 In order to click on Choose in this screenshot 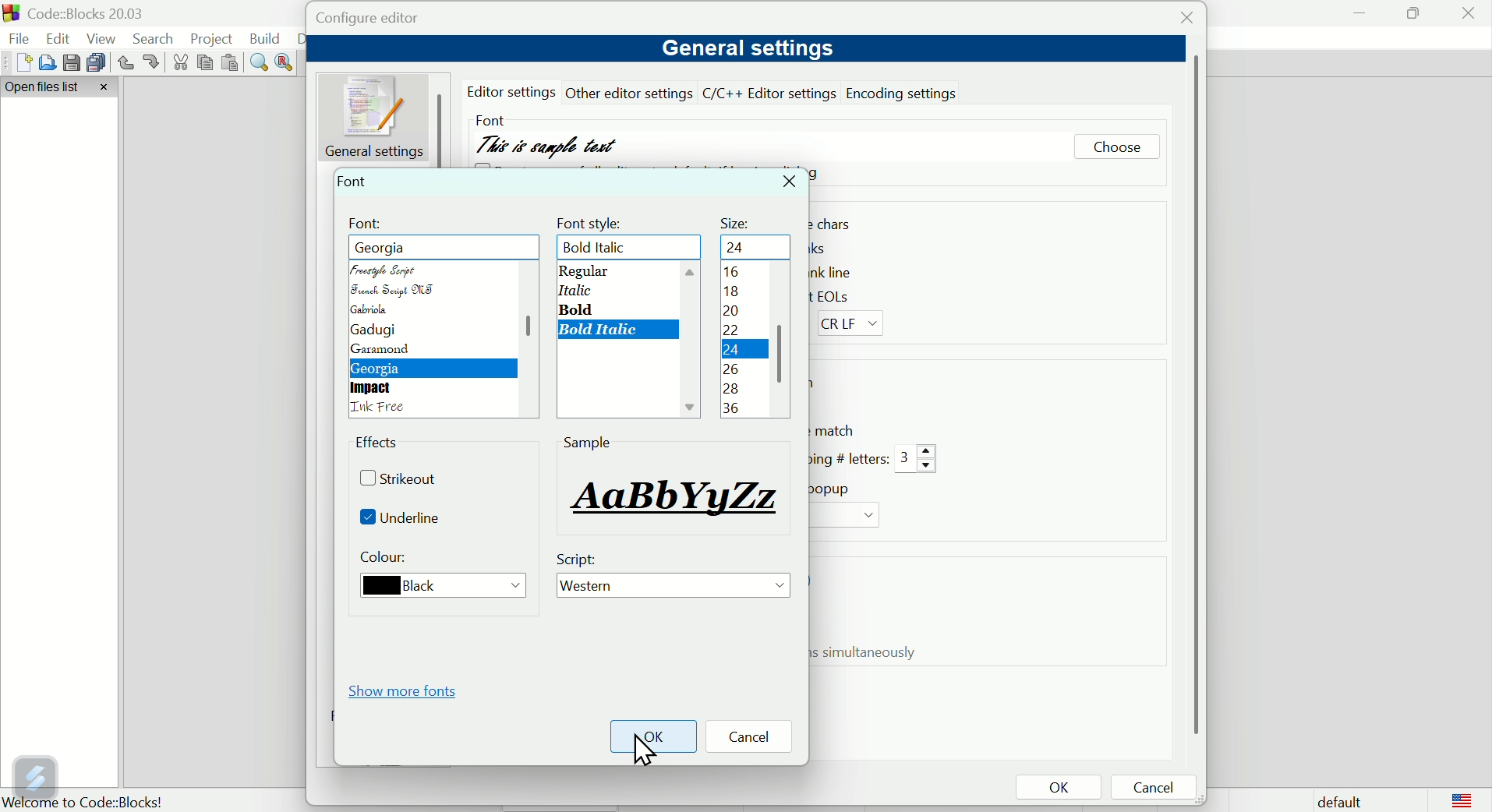, I will do `click(1116, 149)`.